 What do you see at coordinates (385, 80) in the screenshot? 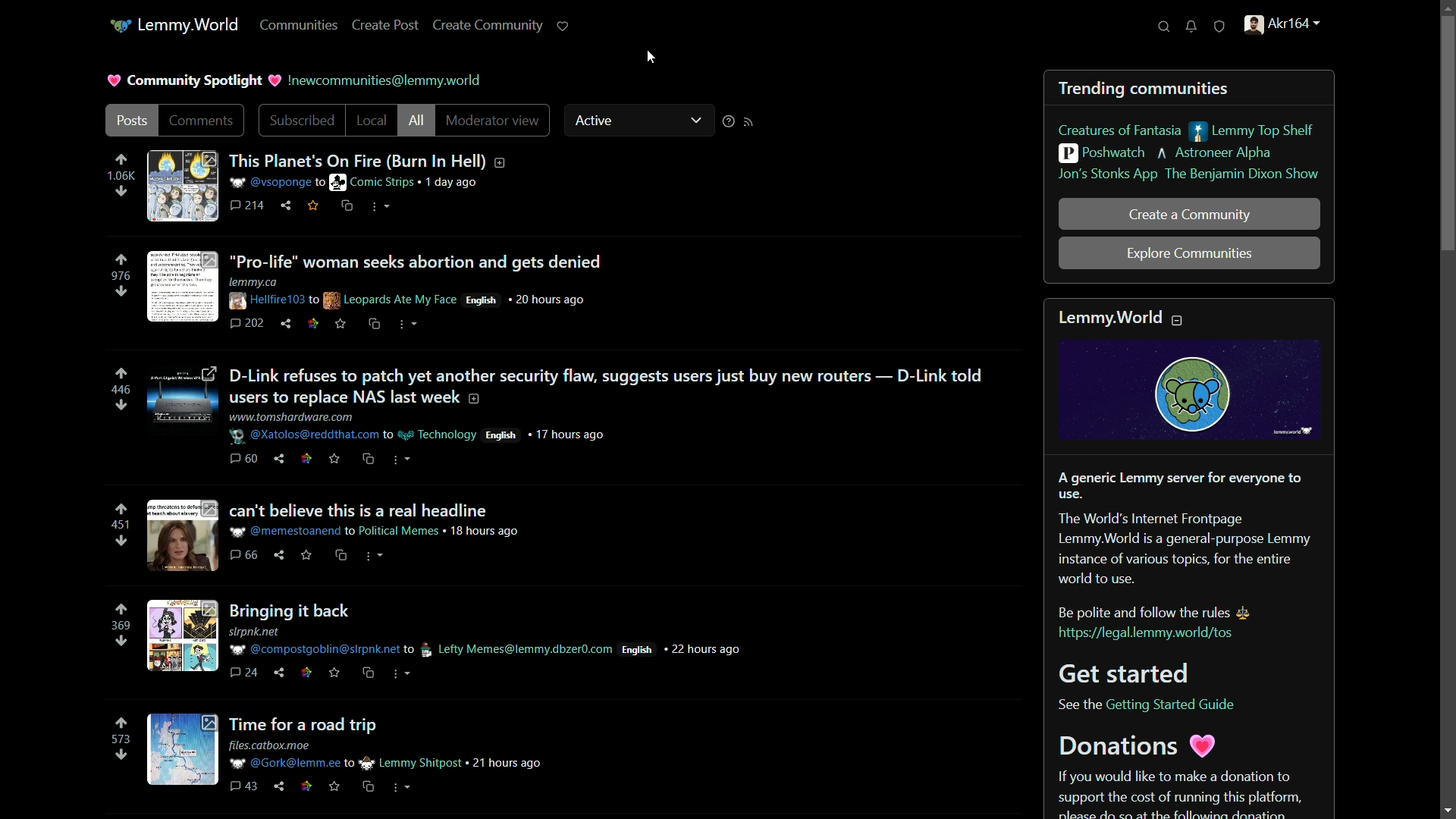
I see `text` at bounding box center [385, 80].